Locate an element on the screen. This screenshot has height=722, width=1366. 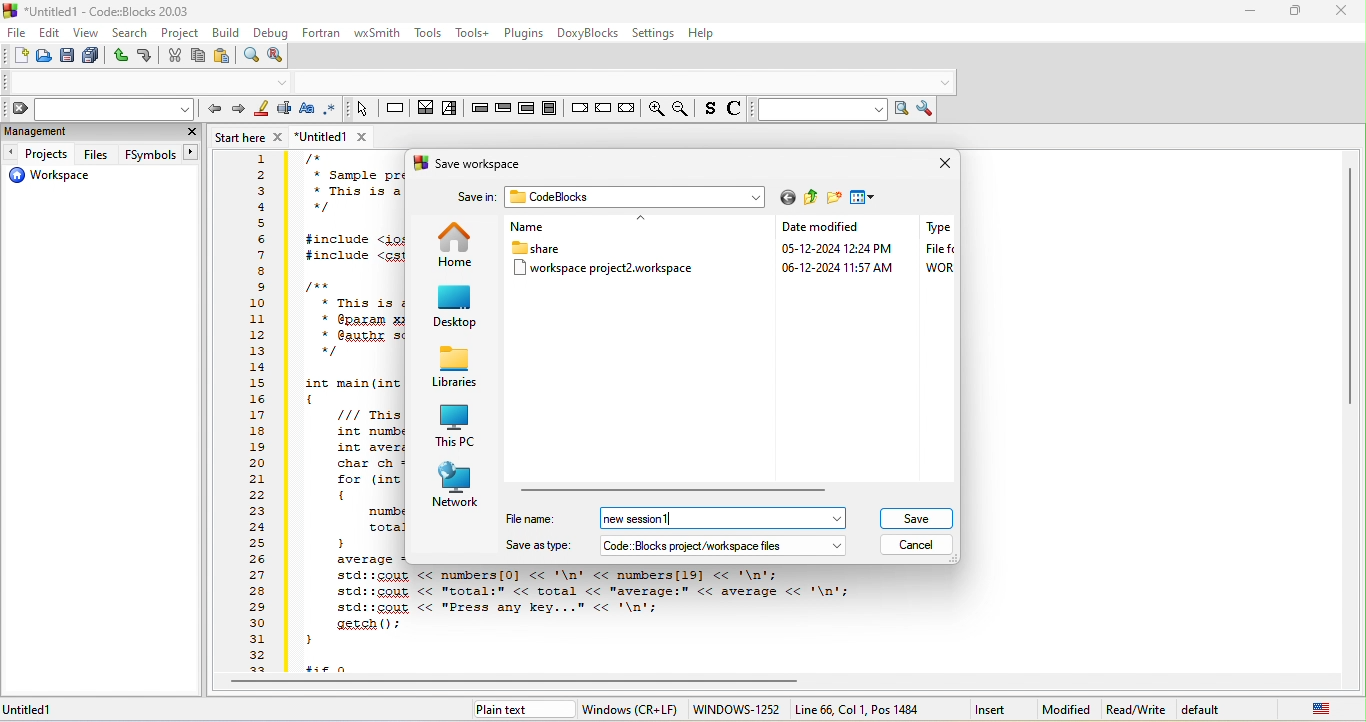
united state is located at coordinates (1323, 711).